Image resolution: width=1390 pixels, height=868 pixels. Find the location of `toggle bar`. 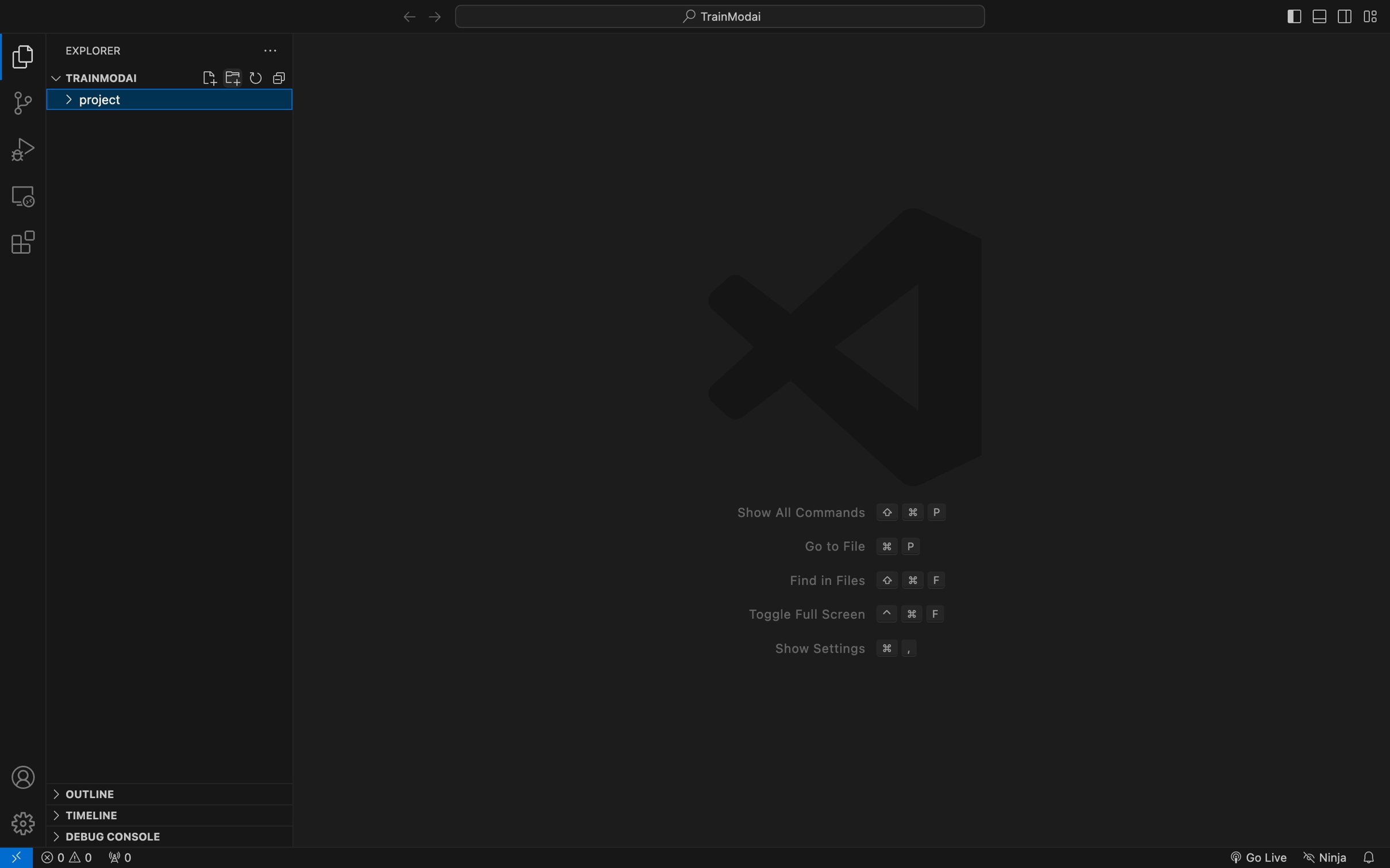

toggle bar is located at coordinates (1292, 15).